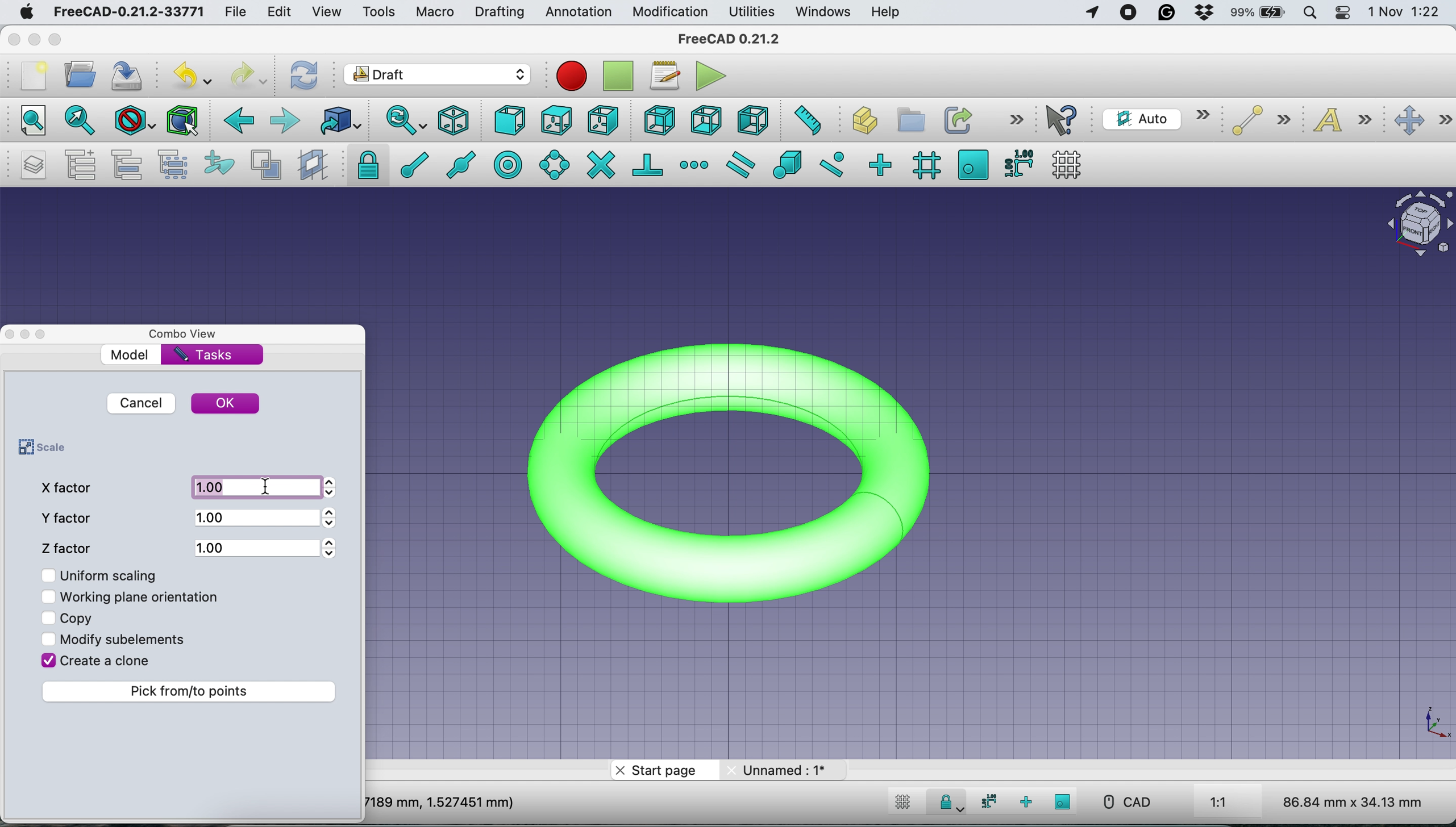  What do you see at coordinates (1063, 801) in the screenshot?
I see `snap working plane` at bounding box center [1063, 801].